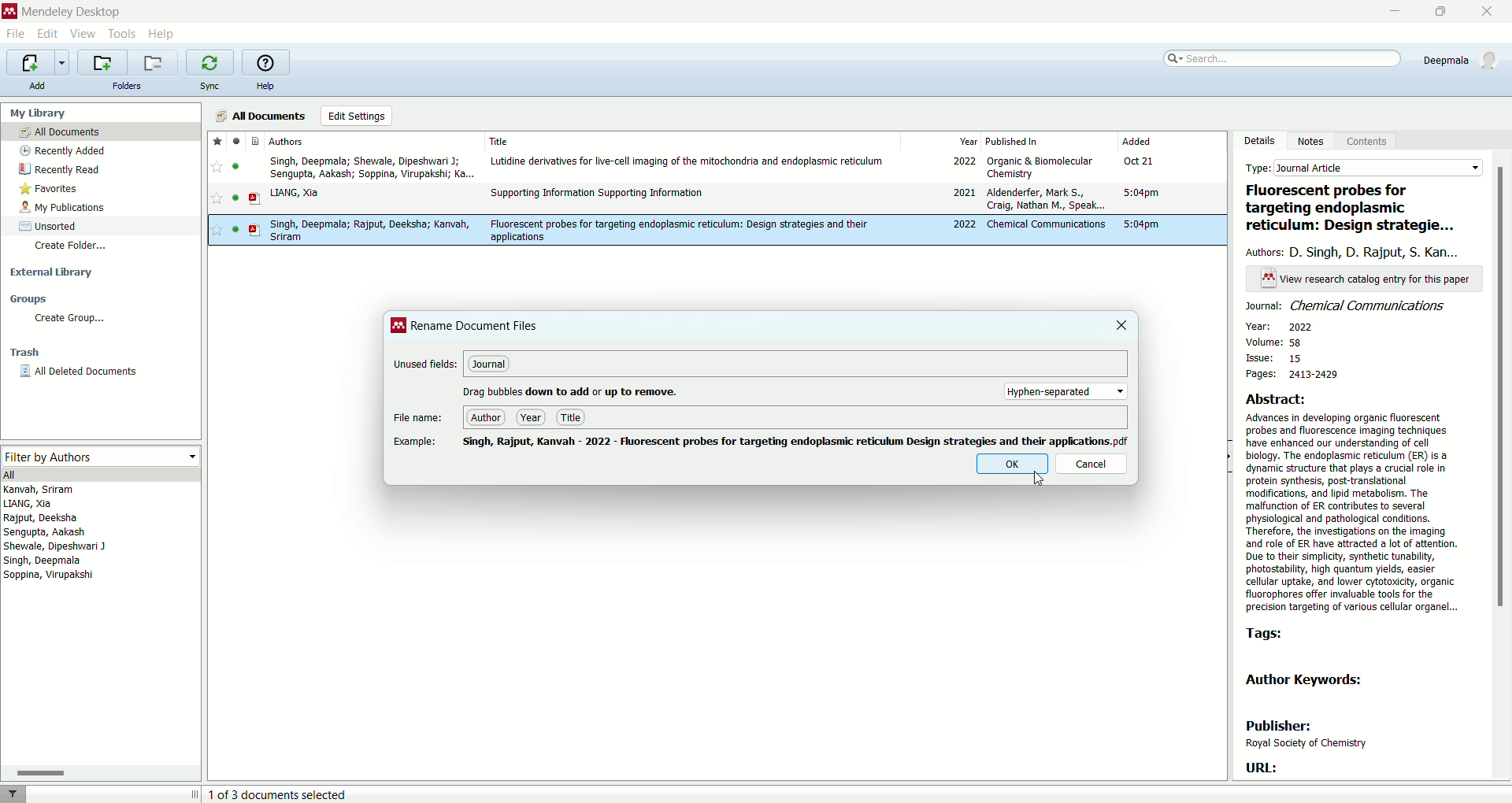  I want to click on 5:04pm, so click(1141, 224).